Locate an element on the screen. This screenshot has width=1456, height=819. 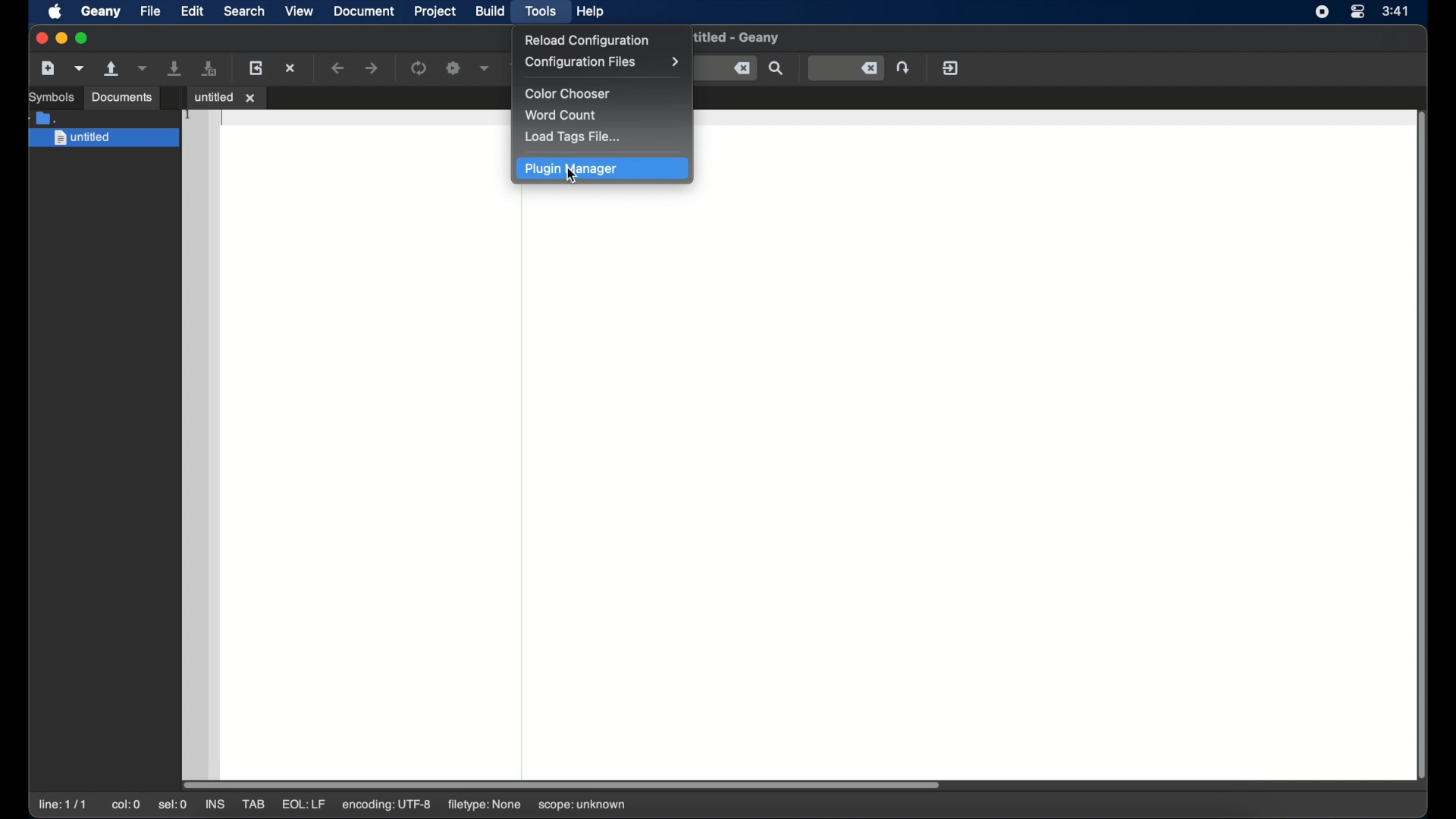
open a recent file is located at coordinates (144, 69).